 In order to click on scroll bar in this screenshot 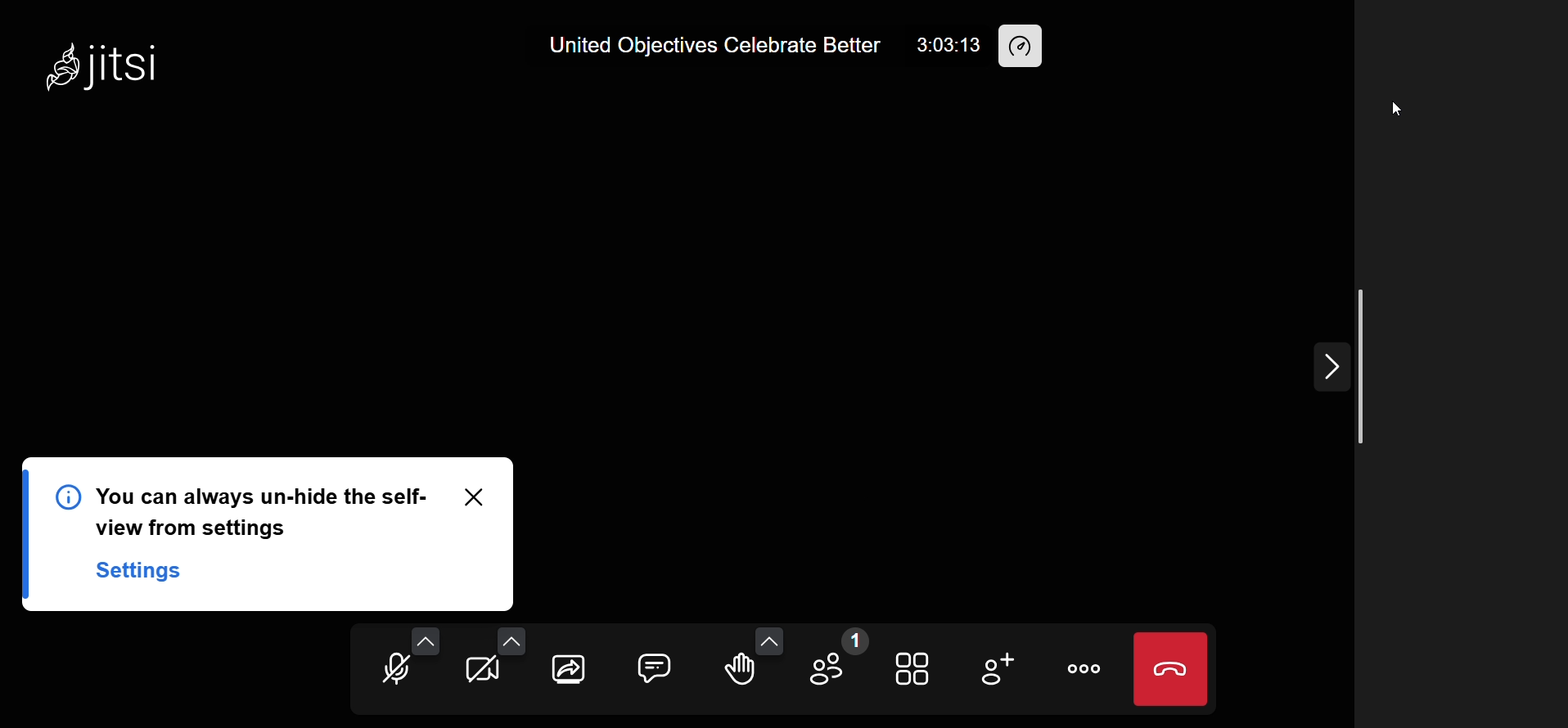, I will do `click(1361, 367)`.